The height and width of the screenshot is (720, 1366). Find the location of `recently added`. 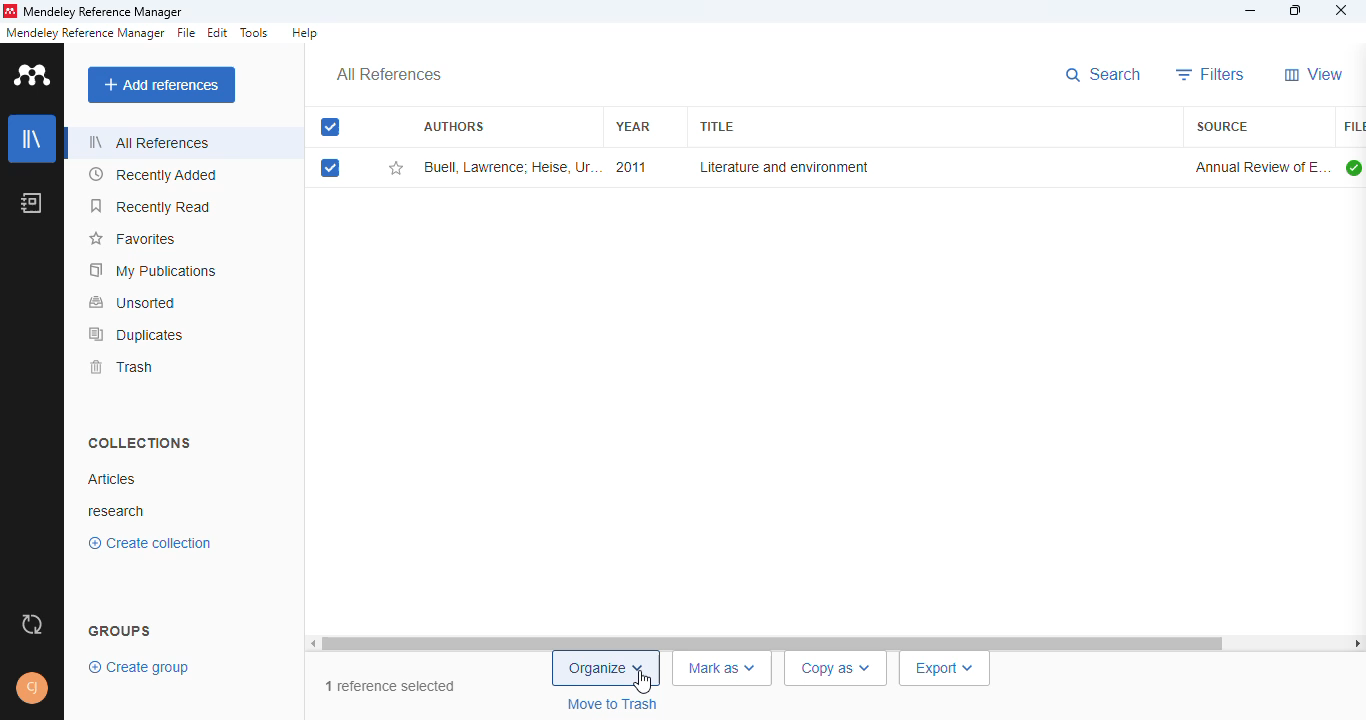

recently added is located at coordinates (153, 174).